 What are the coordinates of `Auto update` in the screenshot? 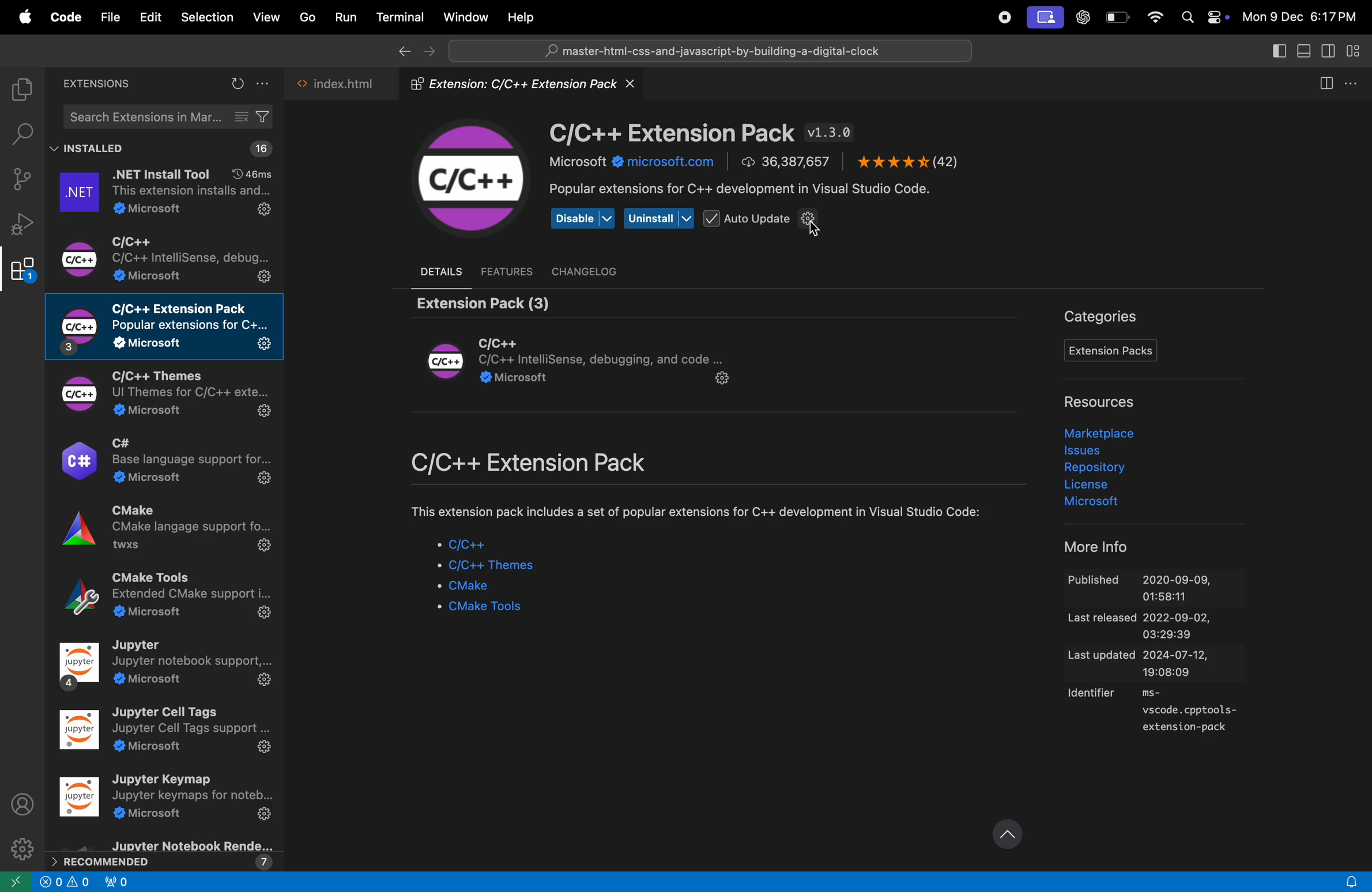 It's located at (767, 219).